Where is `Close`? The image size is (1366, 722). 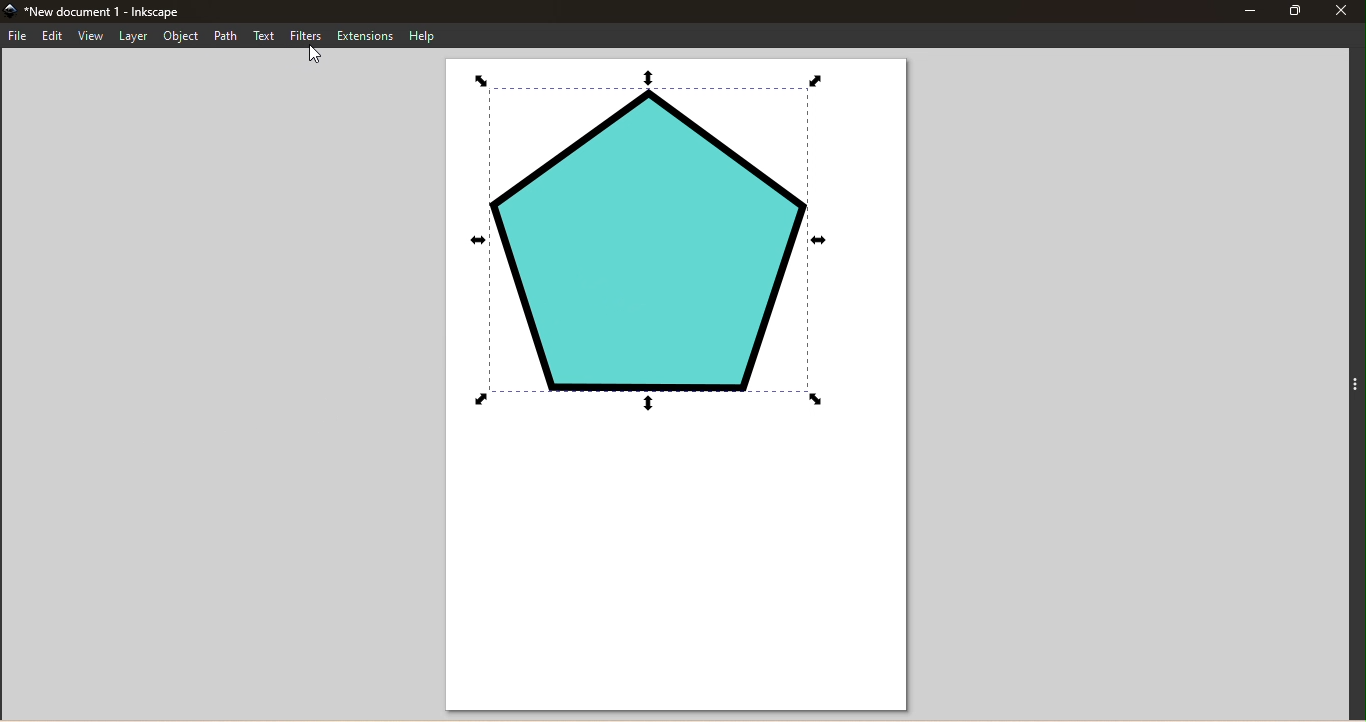
Close is located at coordinates (1344, 10).